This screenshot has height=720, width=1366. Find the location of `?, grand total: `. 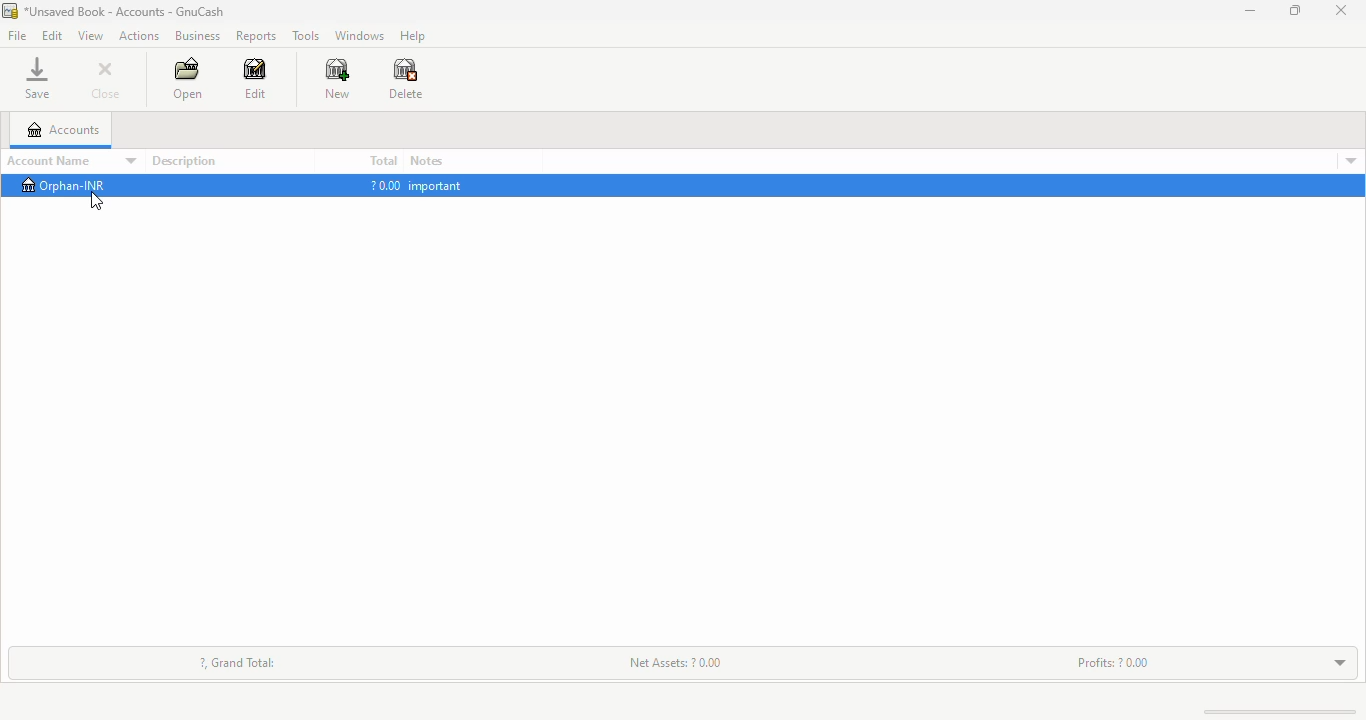

?, grand total:  is located at coordinates (238, 662).